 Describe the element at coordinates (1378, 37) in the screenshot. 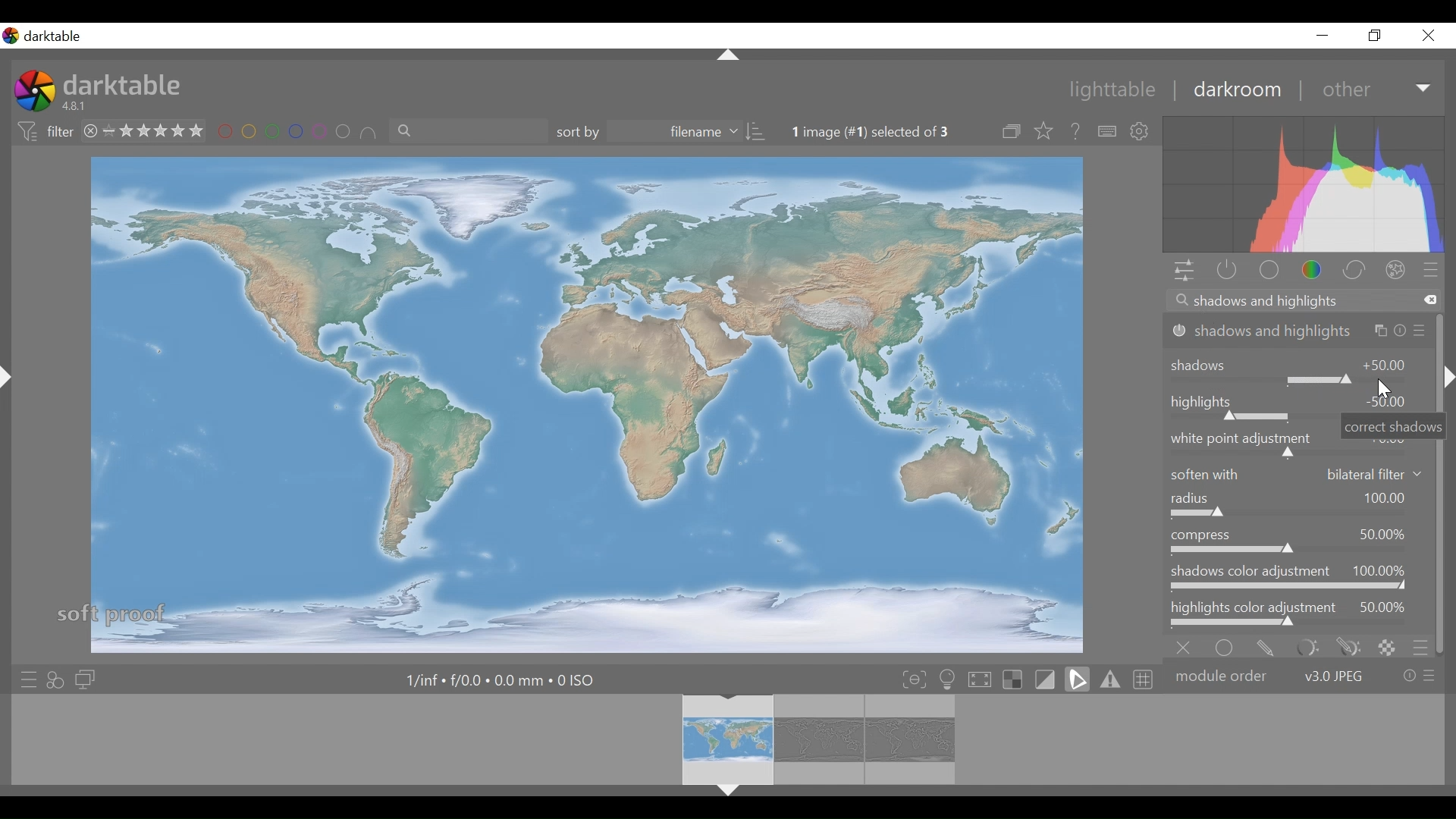

I see `restore` at that location.